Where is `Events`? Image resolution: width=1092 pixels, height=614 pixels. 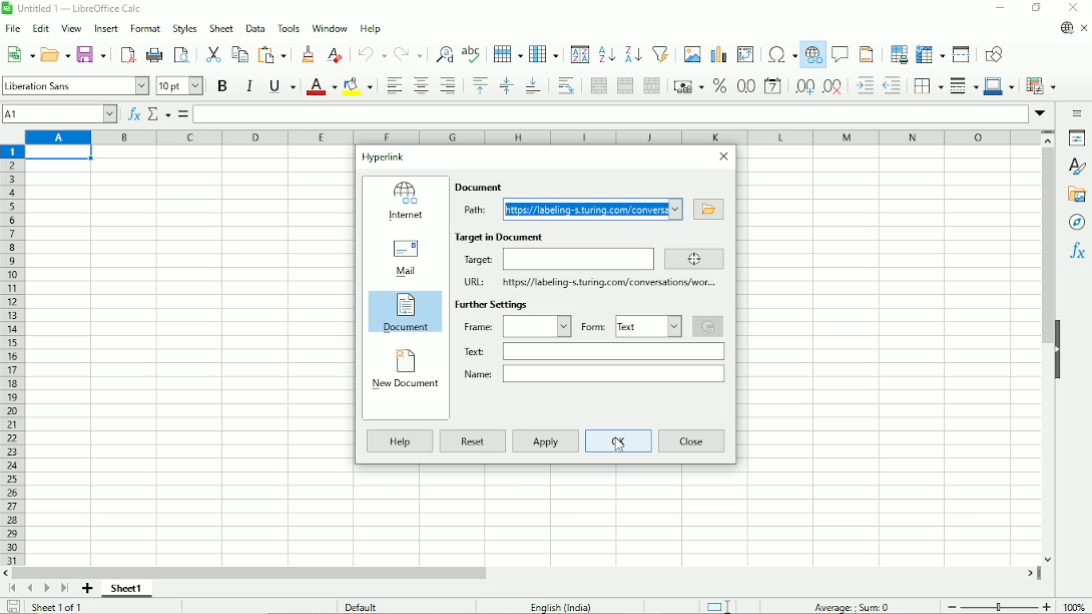
Events is located at coordinates (709, 327).